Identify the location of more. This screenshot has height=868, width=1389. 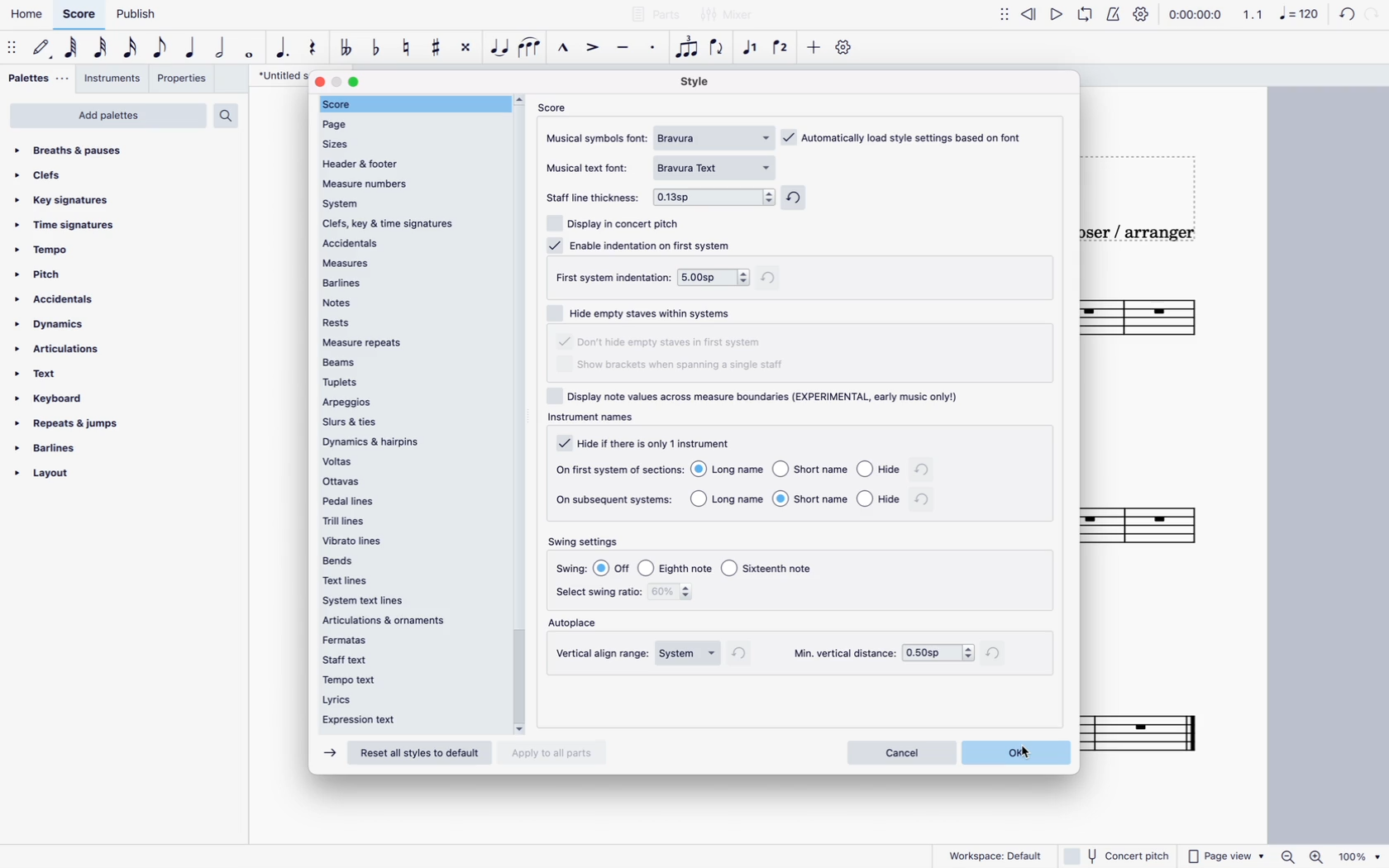
(815, 48).